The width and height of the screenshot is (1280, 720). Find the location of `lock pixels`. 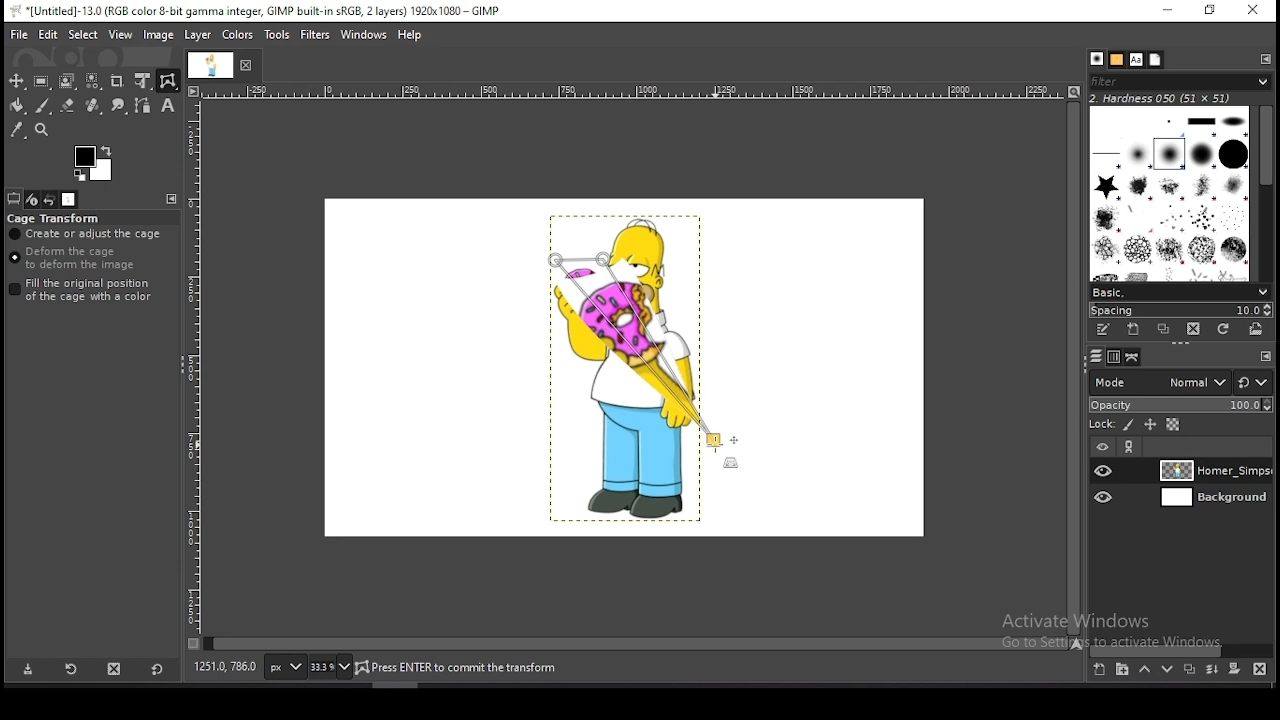

lock pixels is located at coordinates (1127, 426).